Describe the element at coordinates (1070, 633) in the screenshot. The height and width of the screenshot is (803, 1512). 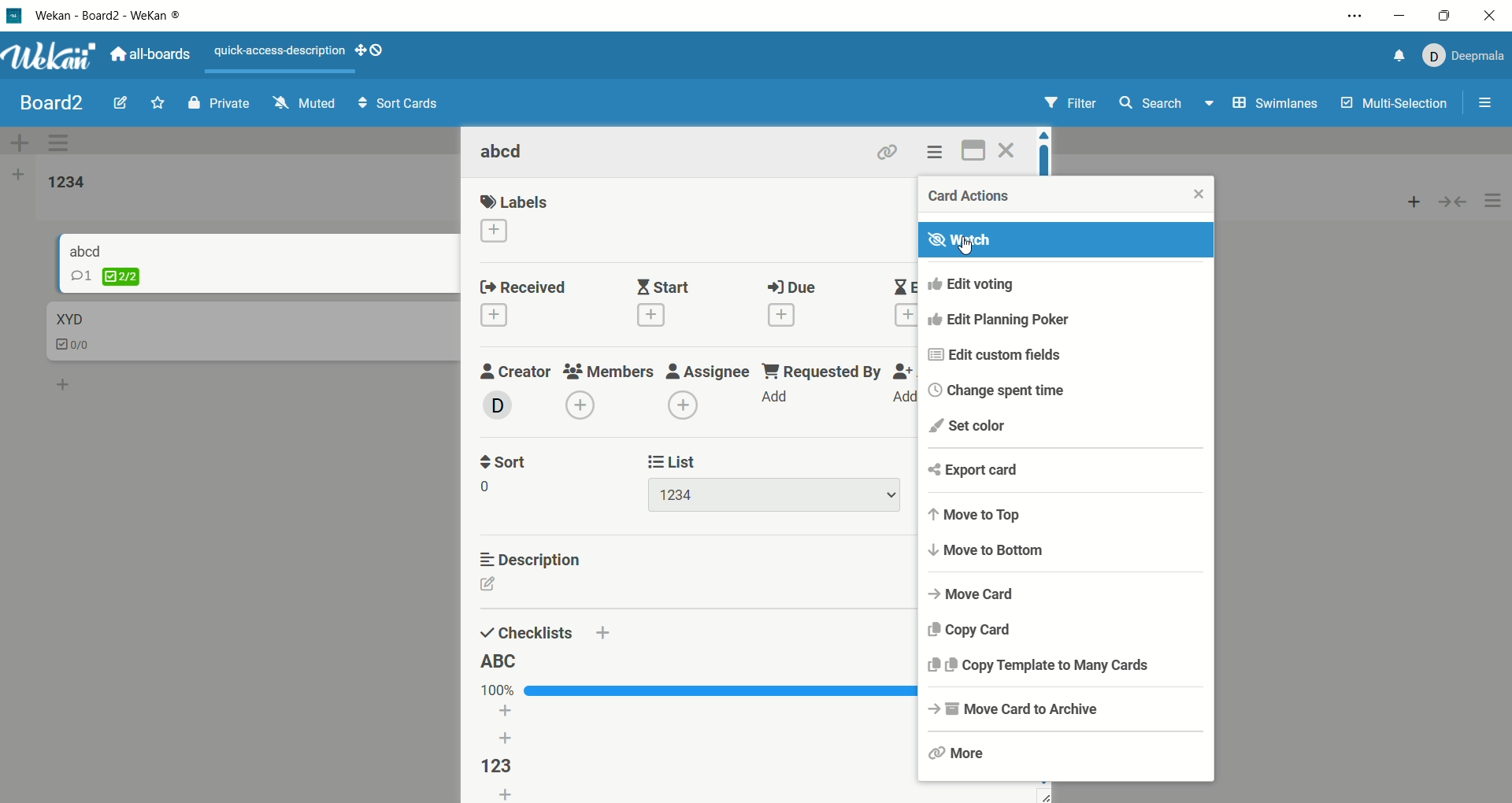
I see `copy card` at that location.